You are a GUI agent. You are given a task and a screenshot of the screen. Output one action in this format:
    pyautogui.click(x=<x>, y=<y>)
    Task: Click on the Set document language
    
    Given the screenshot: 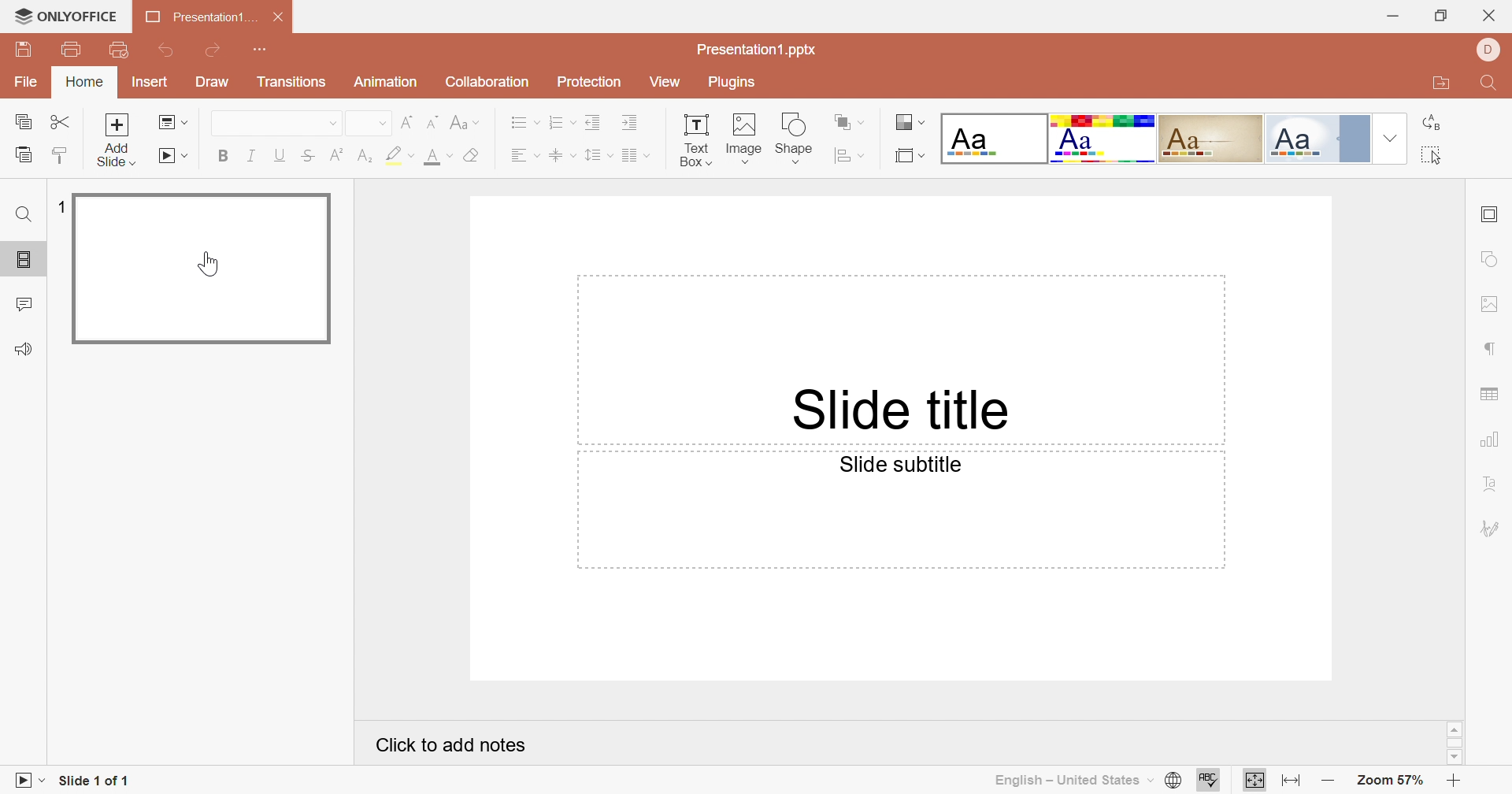 What is the action you would take?
    pyautogui.click(x=1175, y=781)
    